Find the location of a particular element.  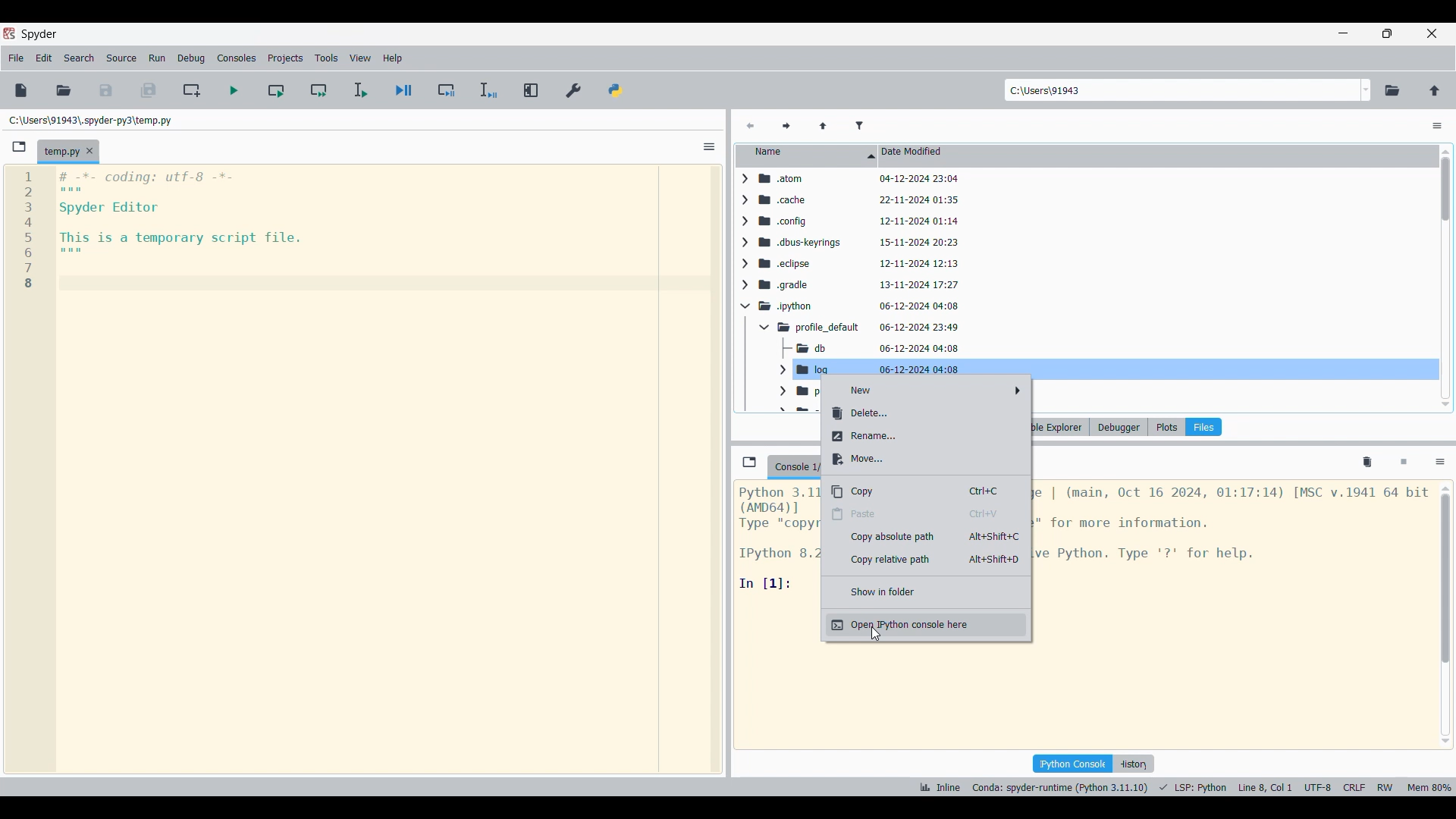

Show in folder is located at coordinates (927, 591).